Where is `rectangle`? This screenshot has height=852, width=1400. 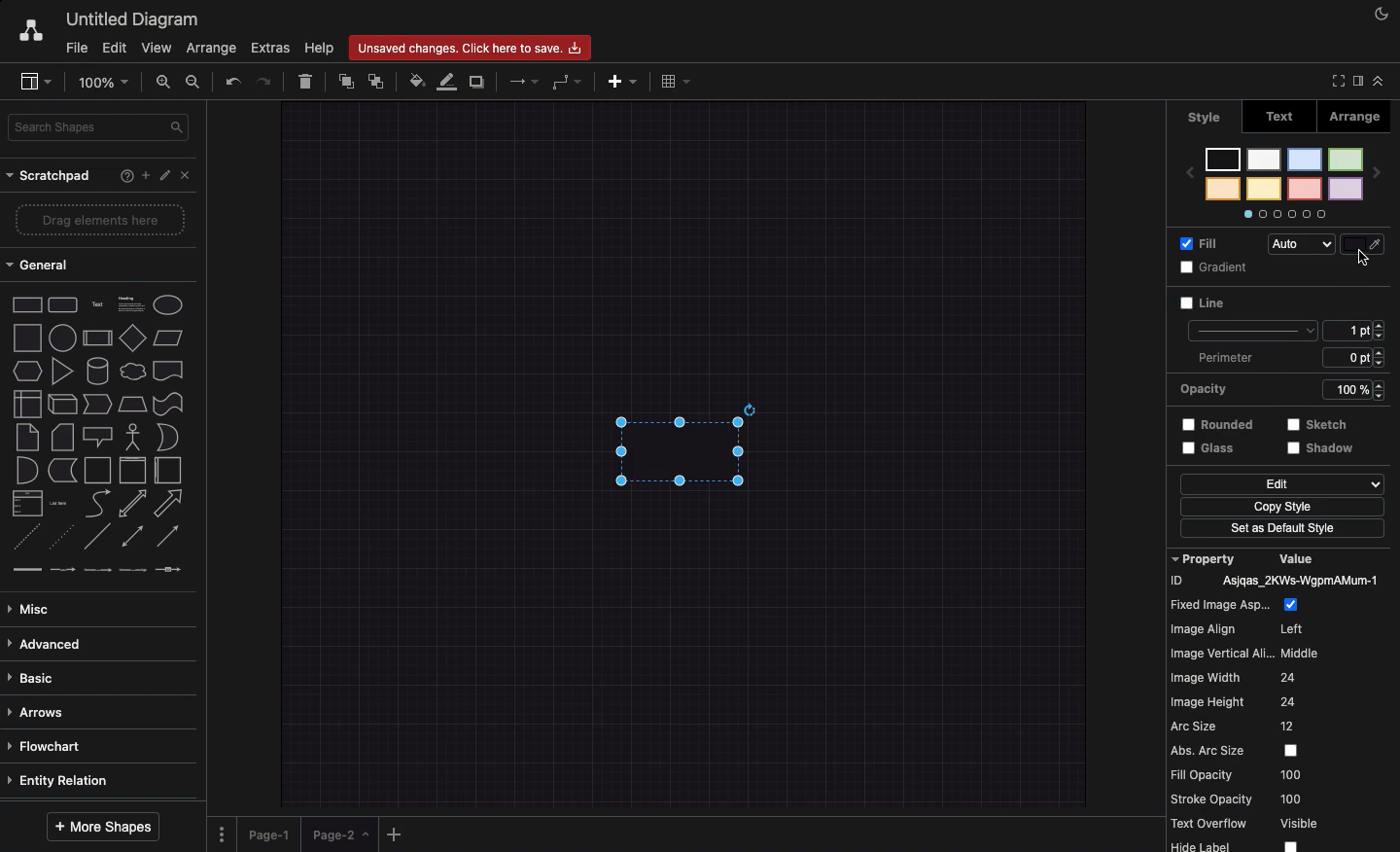
rectangle is located at coordinates (27, 303).